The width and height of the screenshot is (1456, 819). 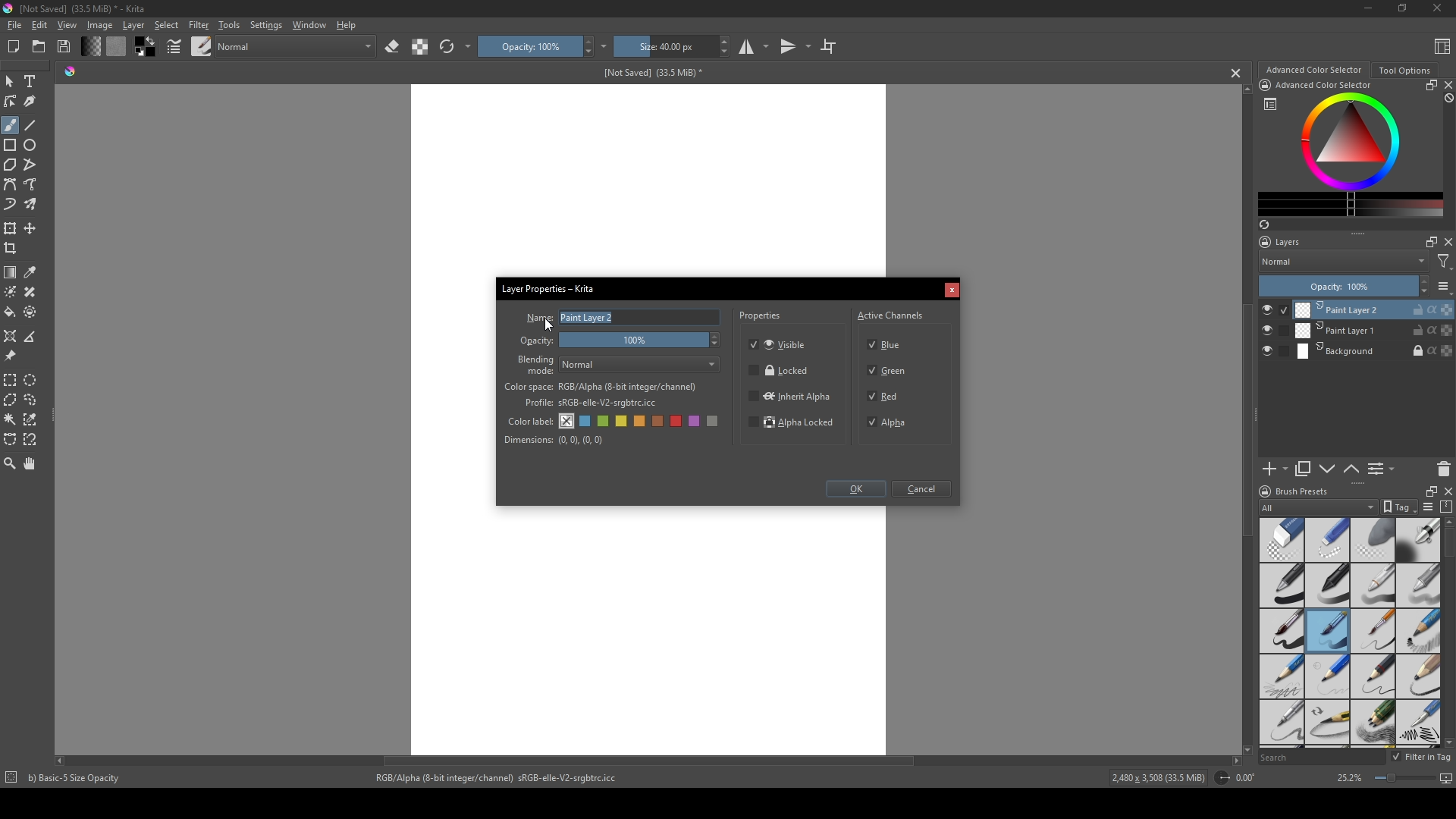 What do you see at coordinates (1344, 261) in the screenshot?
I see `Normal` at bounding box center [1344, 261].